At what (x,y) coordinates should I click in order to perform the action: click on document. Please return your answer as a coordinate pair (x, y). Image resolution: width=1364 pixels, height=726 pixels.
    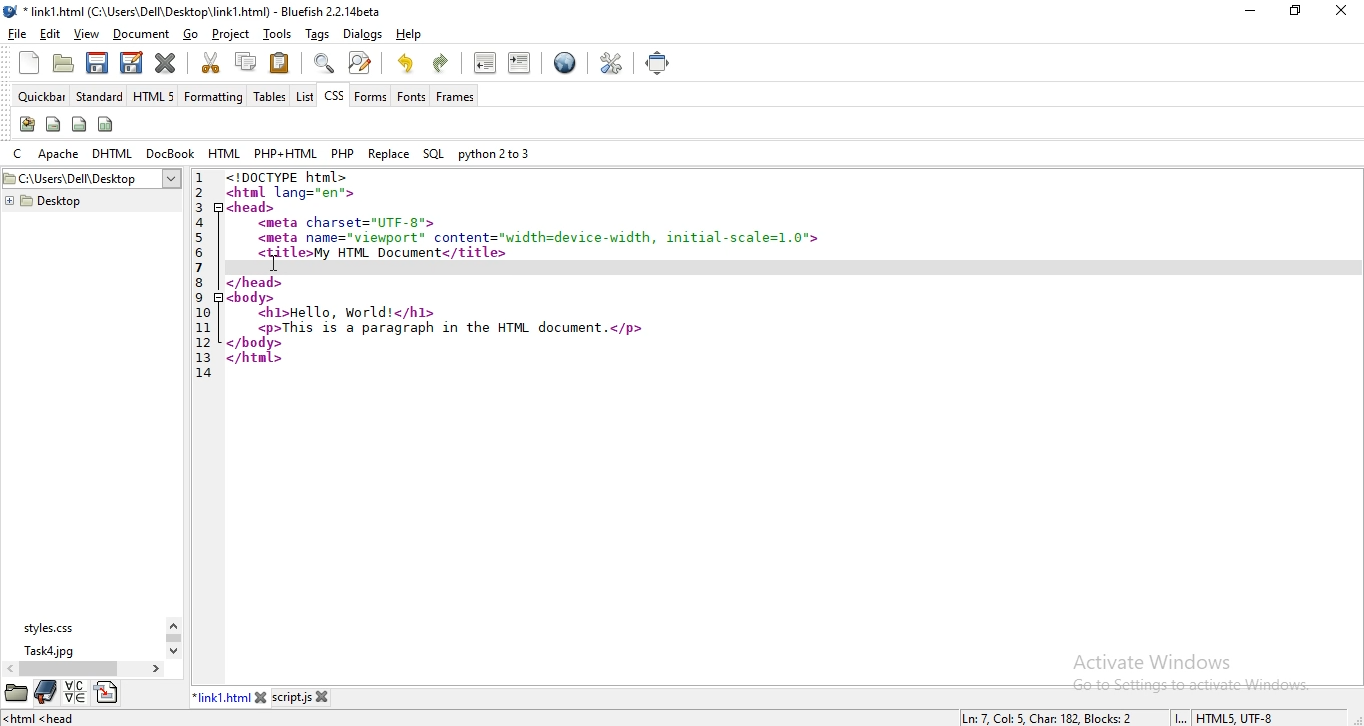
    Looking at the image, I should click on (141, 32).